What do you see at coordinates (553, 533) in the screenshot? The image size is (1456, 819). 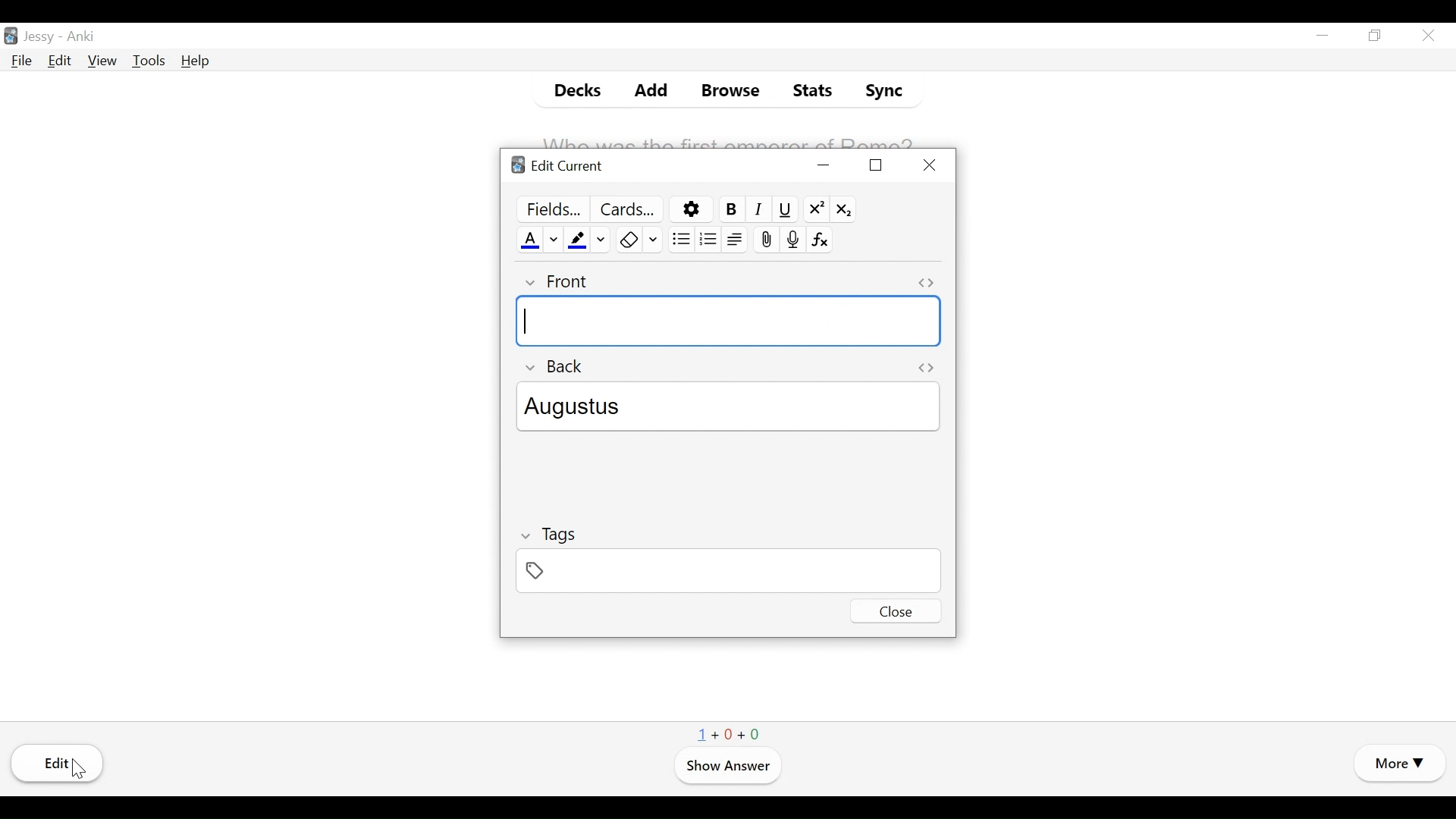 I see `Tags` at bounding box center [553, 533].